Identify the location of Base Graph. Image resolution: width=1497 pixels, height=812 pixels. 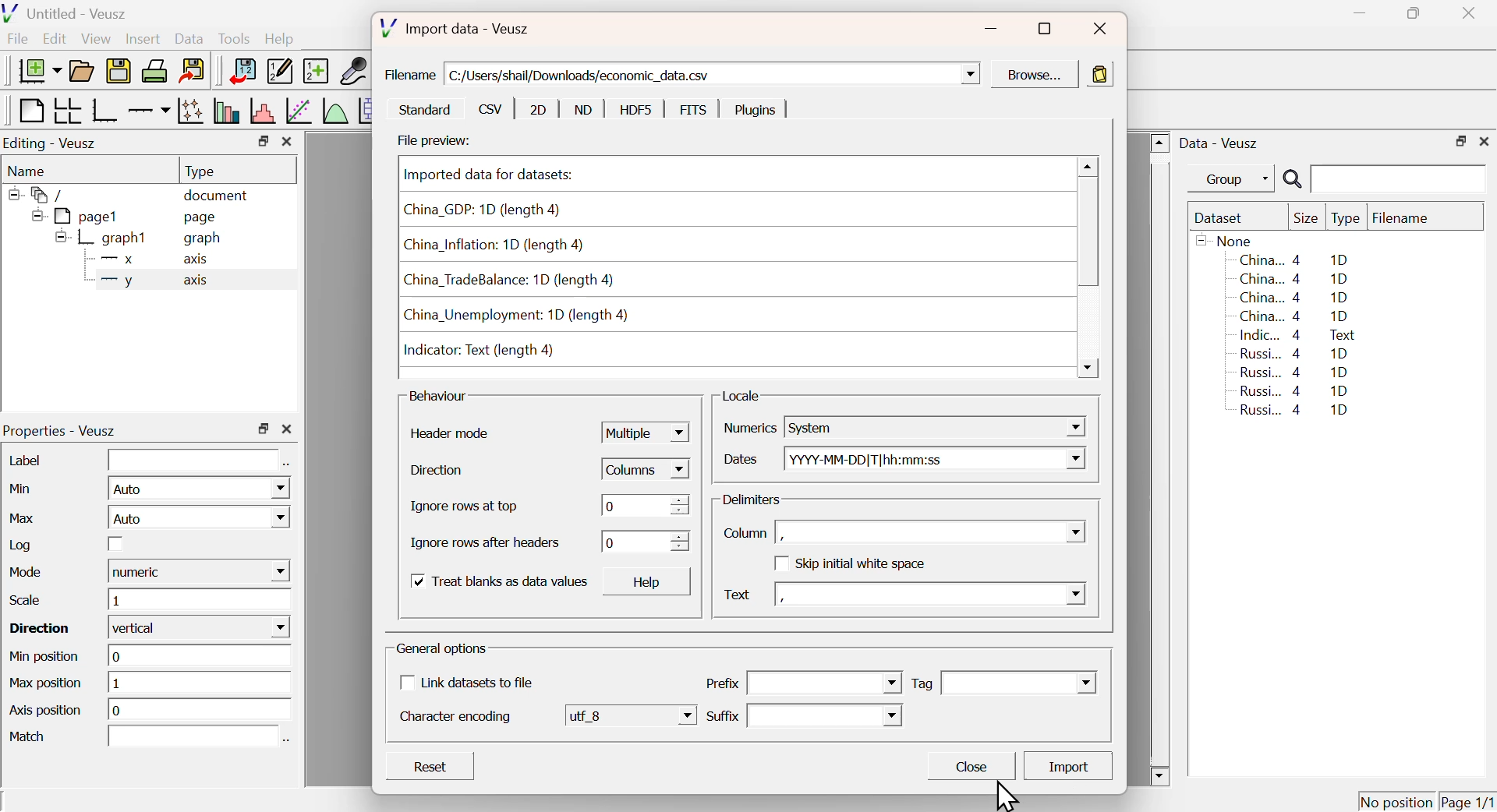
(103, 110).